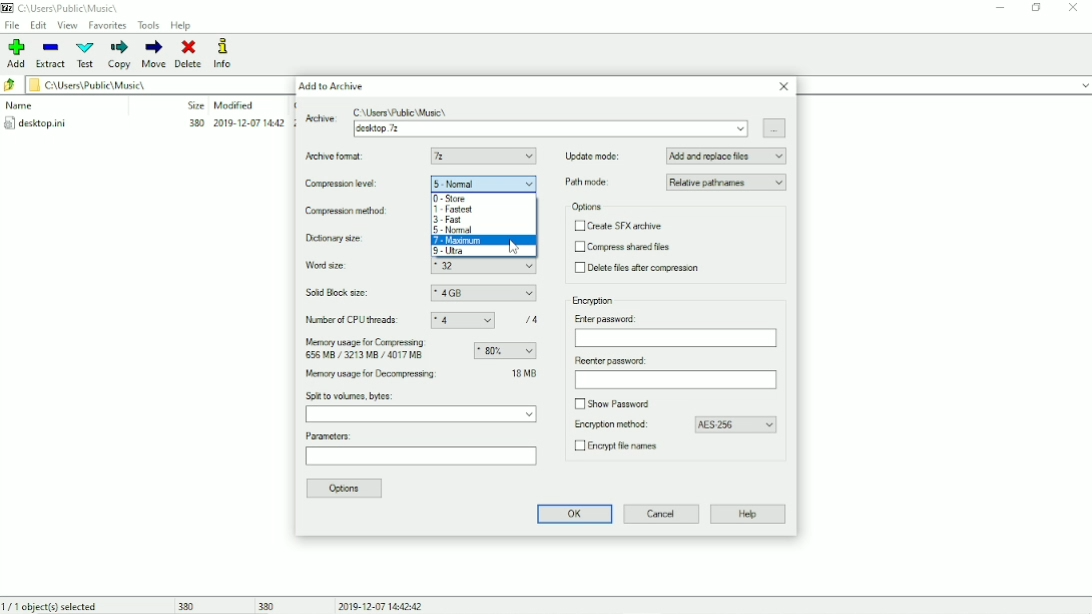 The image size is (1092, 614). I want to click on Enter password, so click(676, 339).